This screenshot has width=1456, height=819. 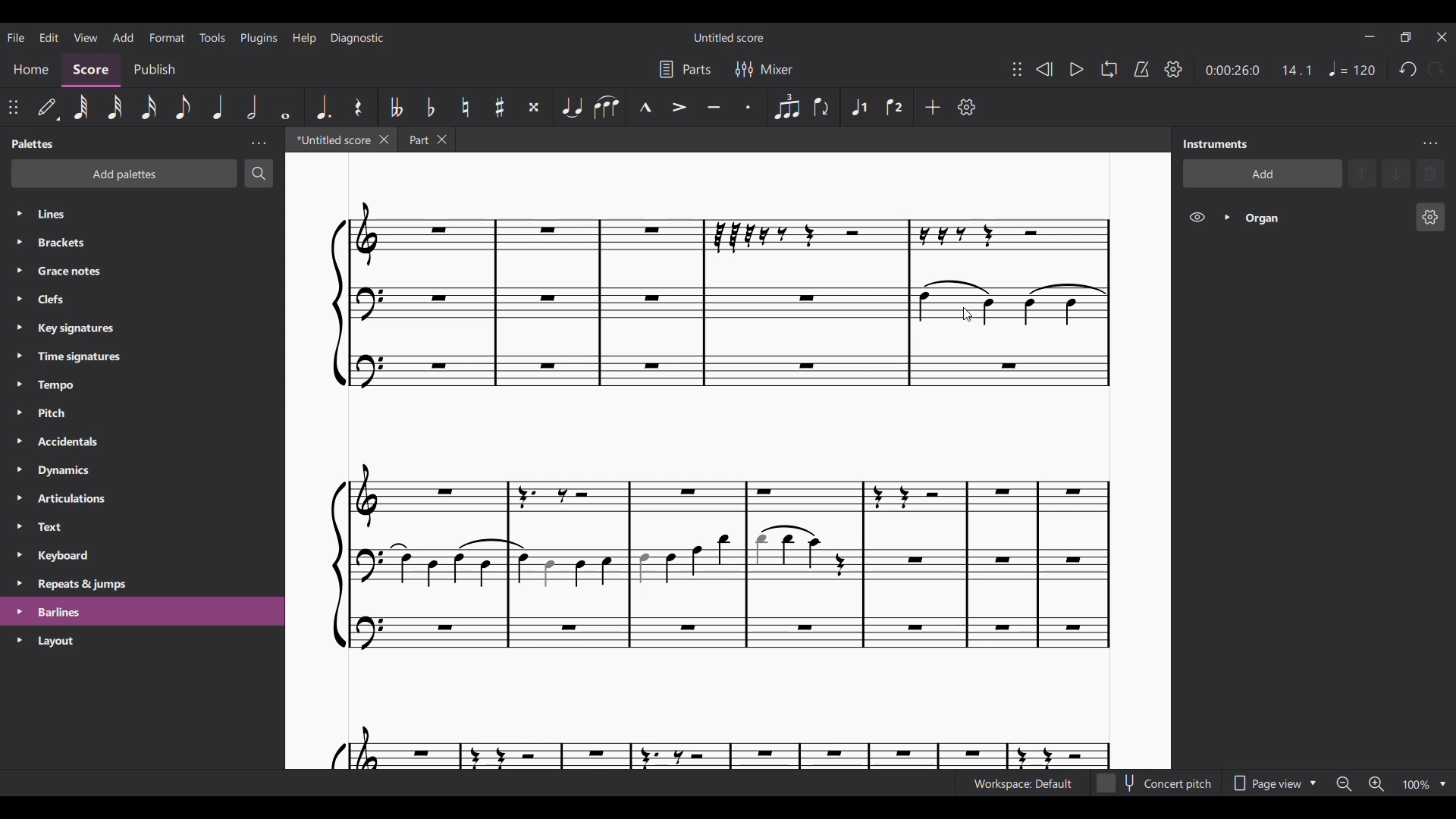 I want to click on Toggle sharp, so click(x=500, y=107).